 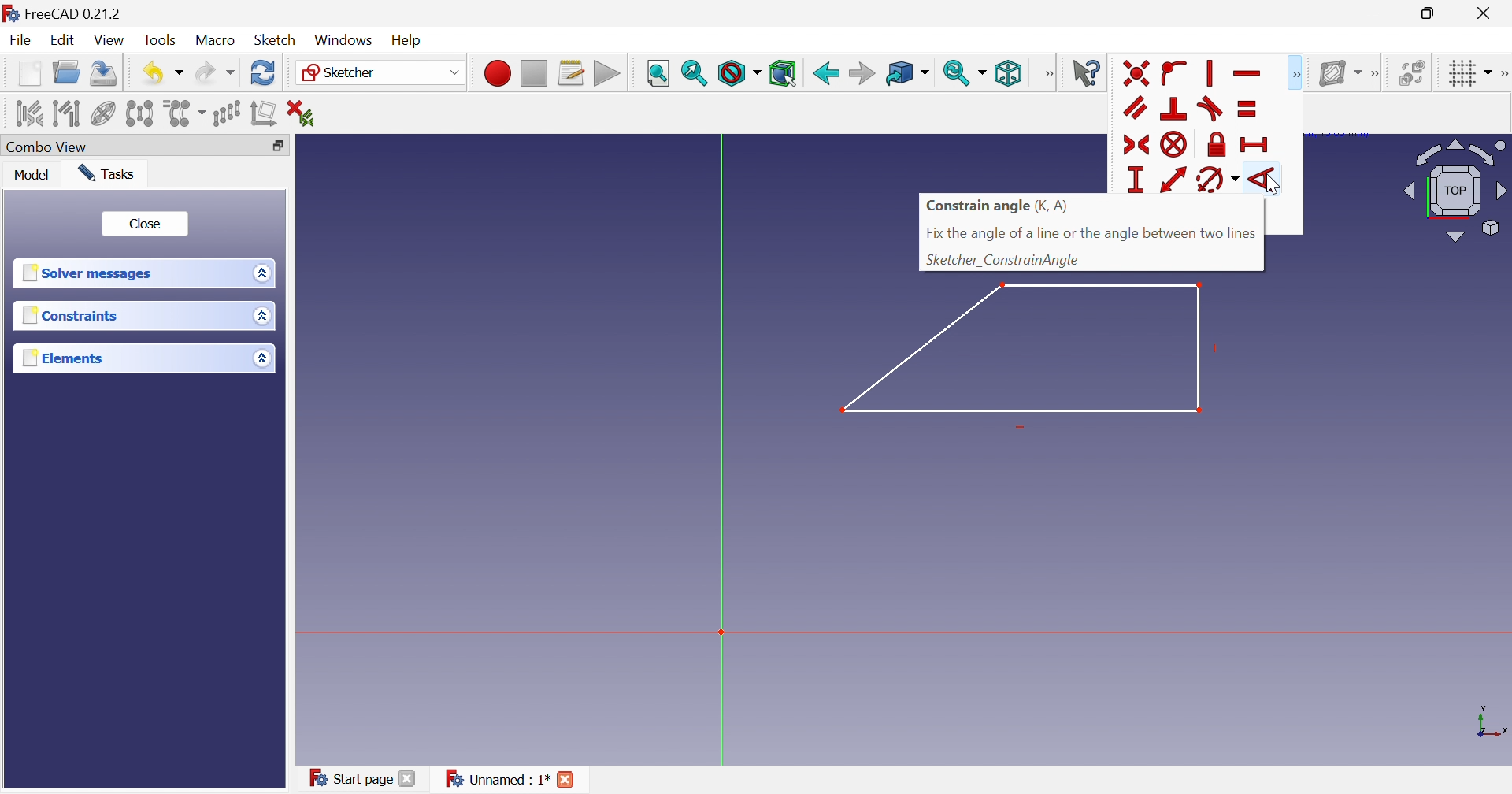 What do you see at coordinates (738, 74) in the screenshot?
I see `Draw Style` at bounding box center [738, 74].